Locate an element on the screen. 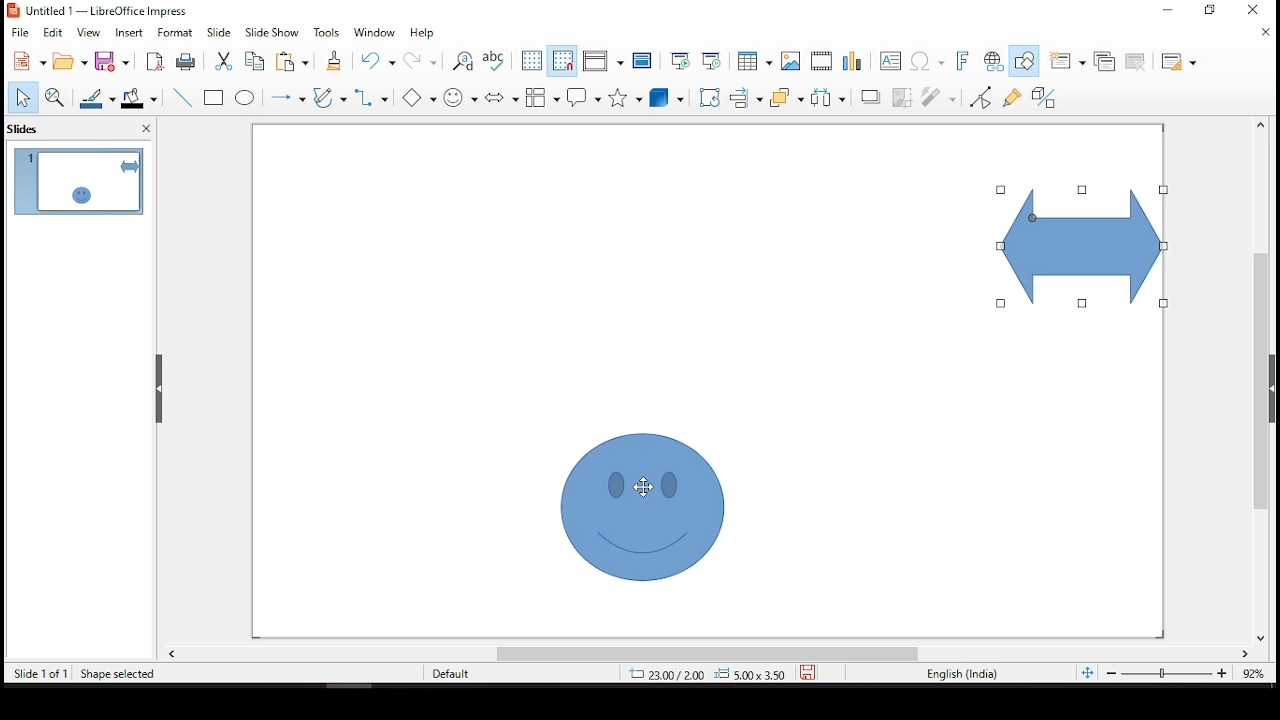 Image resolution: width=1280 pixels, height=720 pixels. insert font work text is located at coordinates (959, 63).